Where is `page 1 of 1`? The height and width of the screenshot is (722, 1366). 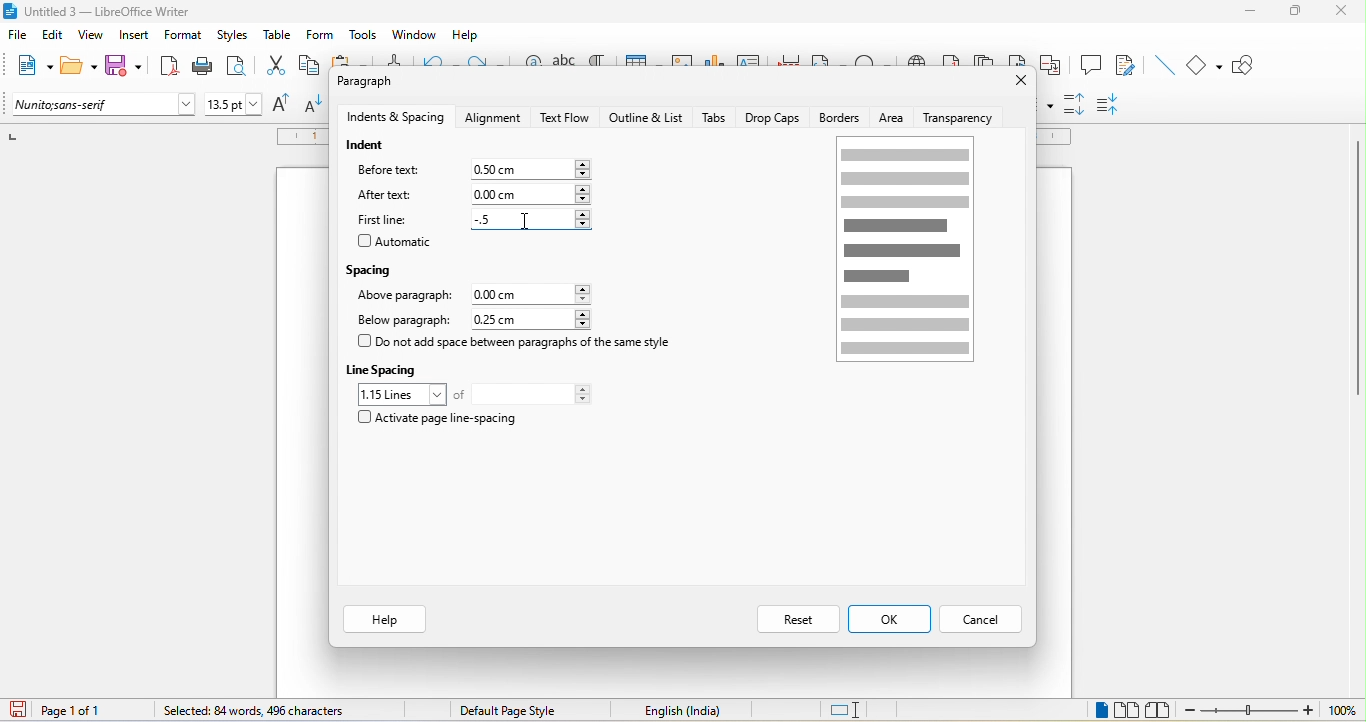 page 1 of 1 is located at coordinates (87, 710).